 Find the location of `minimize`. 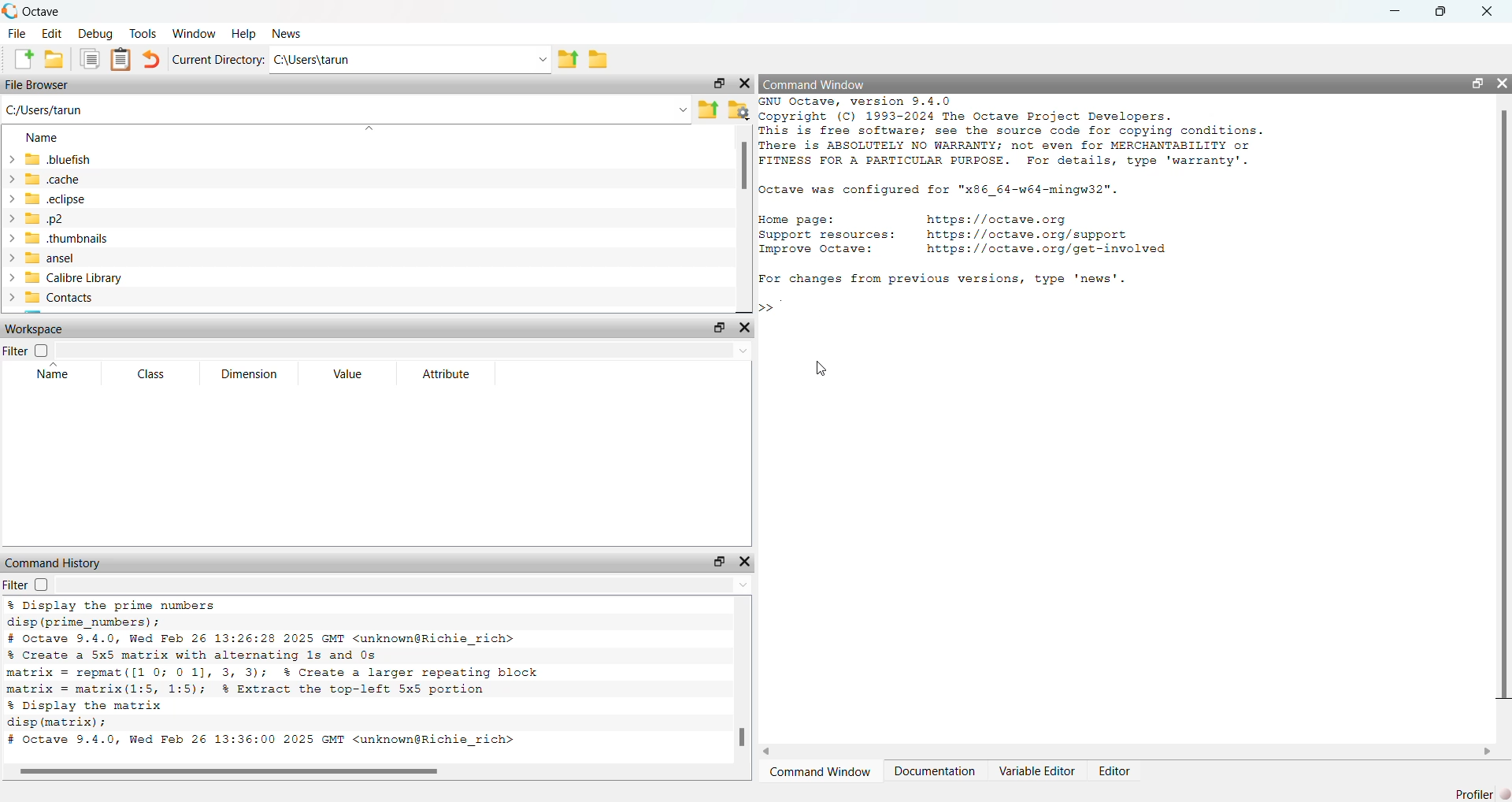

minimize is located at coordinates (1398, 12).